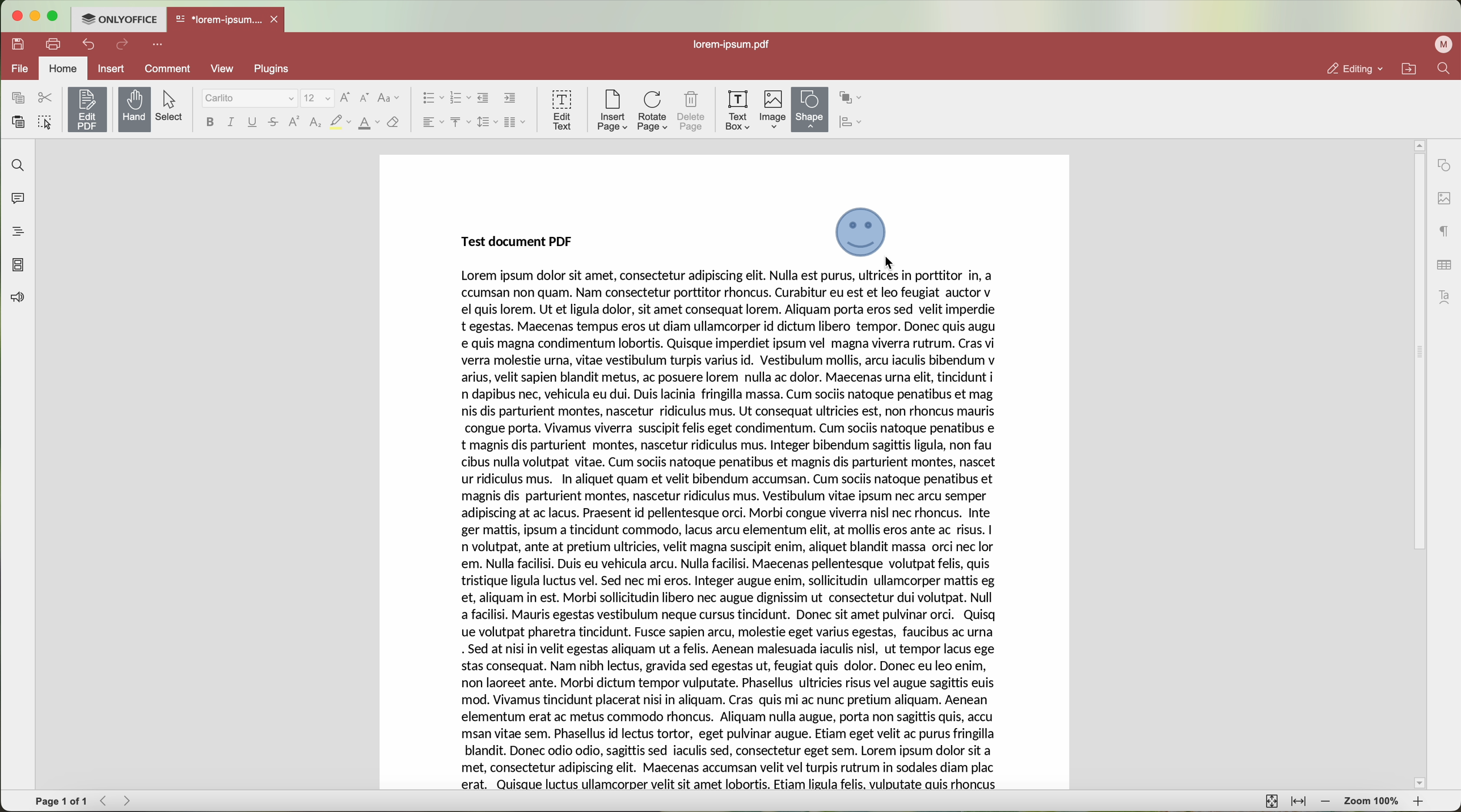  What do you see at coordinates (19, 122) in the screenshot?
I see `paste` at bounding box center [19, 122].